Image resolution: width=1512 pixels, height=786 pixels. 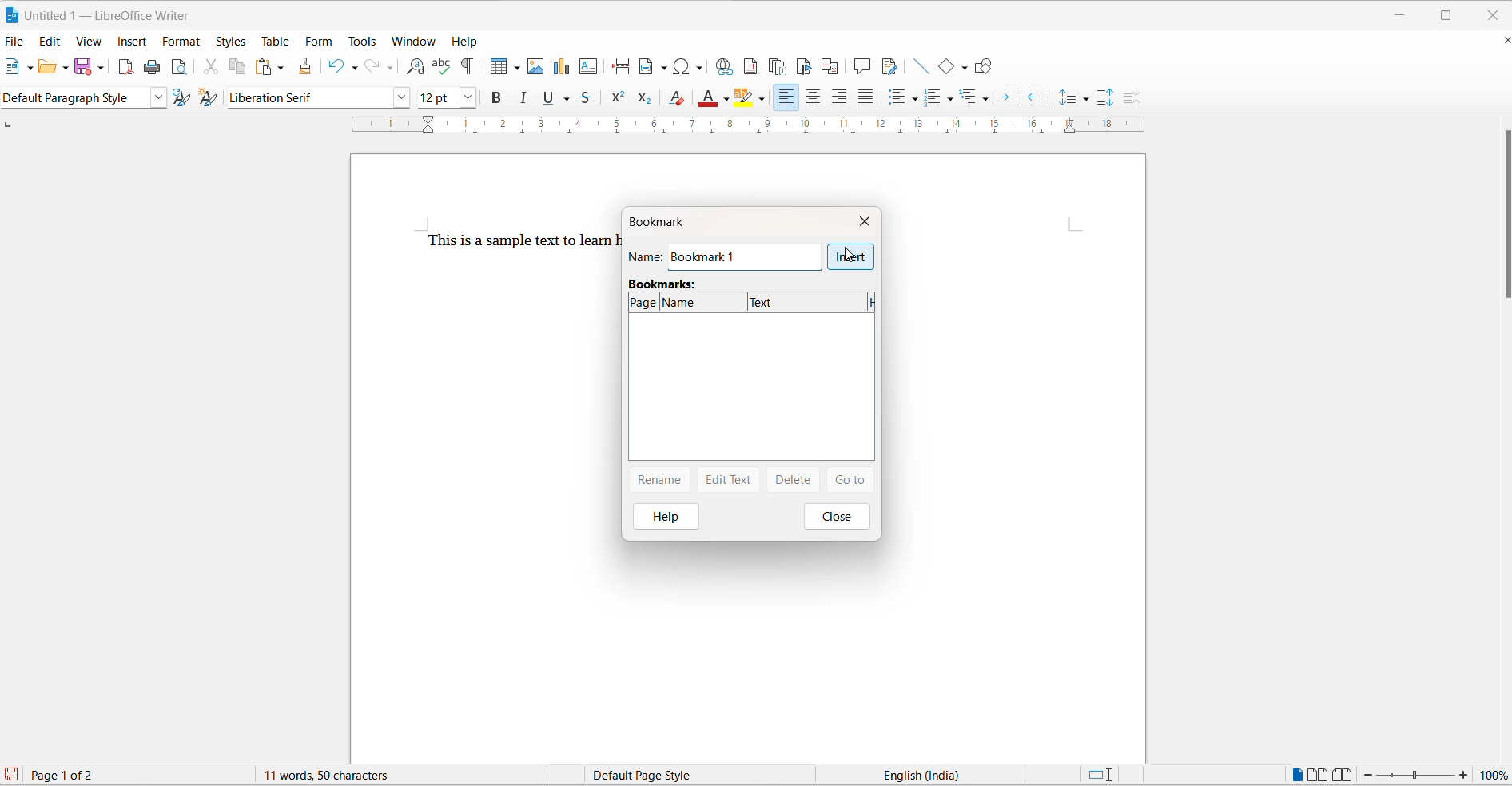 I want to click on copy, so click(x=241, y=67).